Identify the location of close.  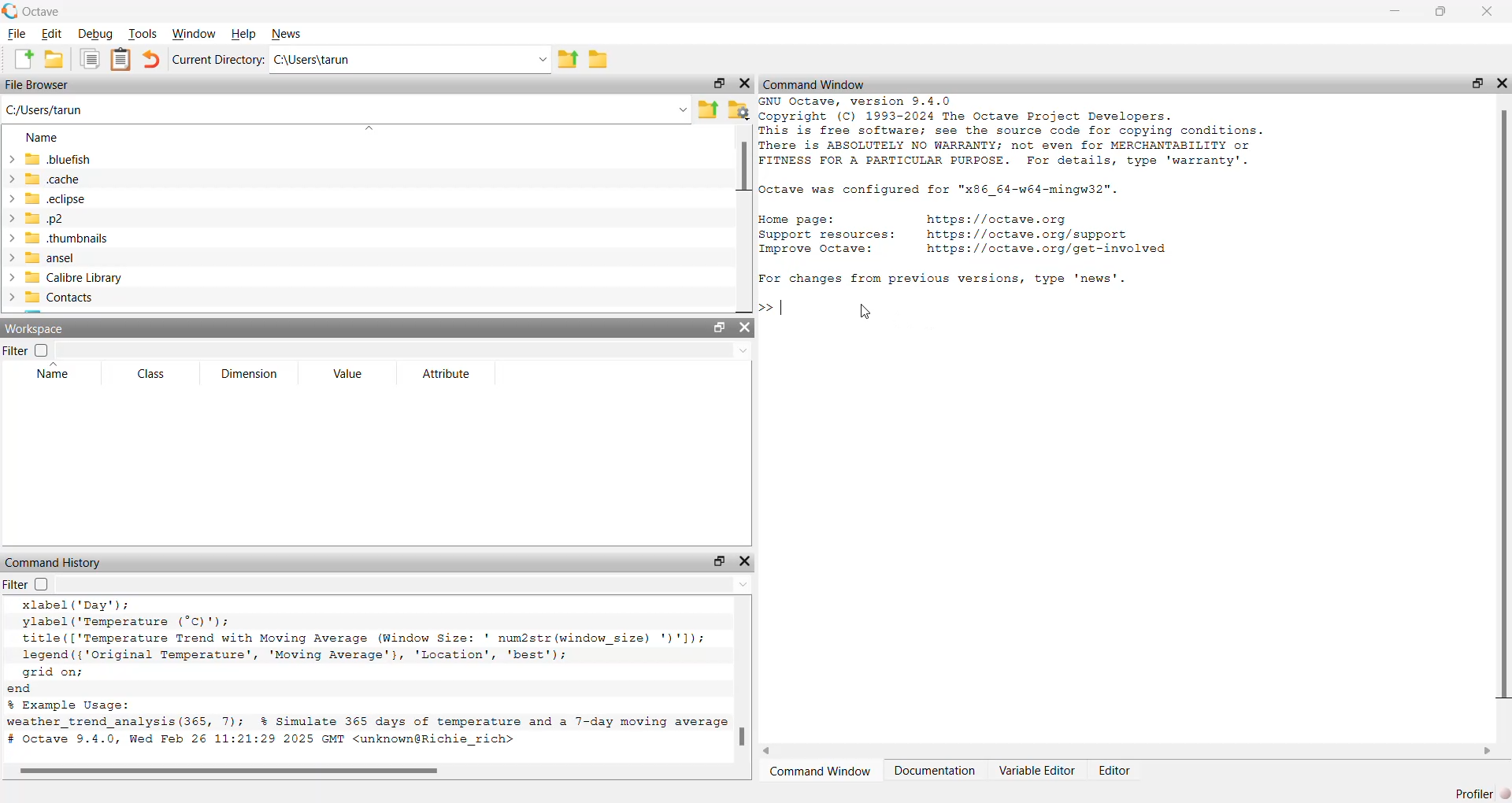
(743, 83).